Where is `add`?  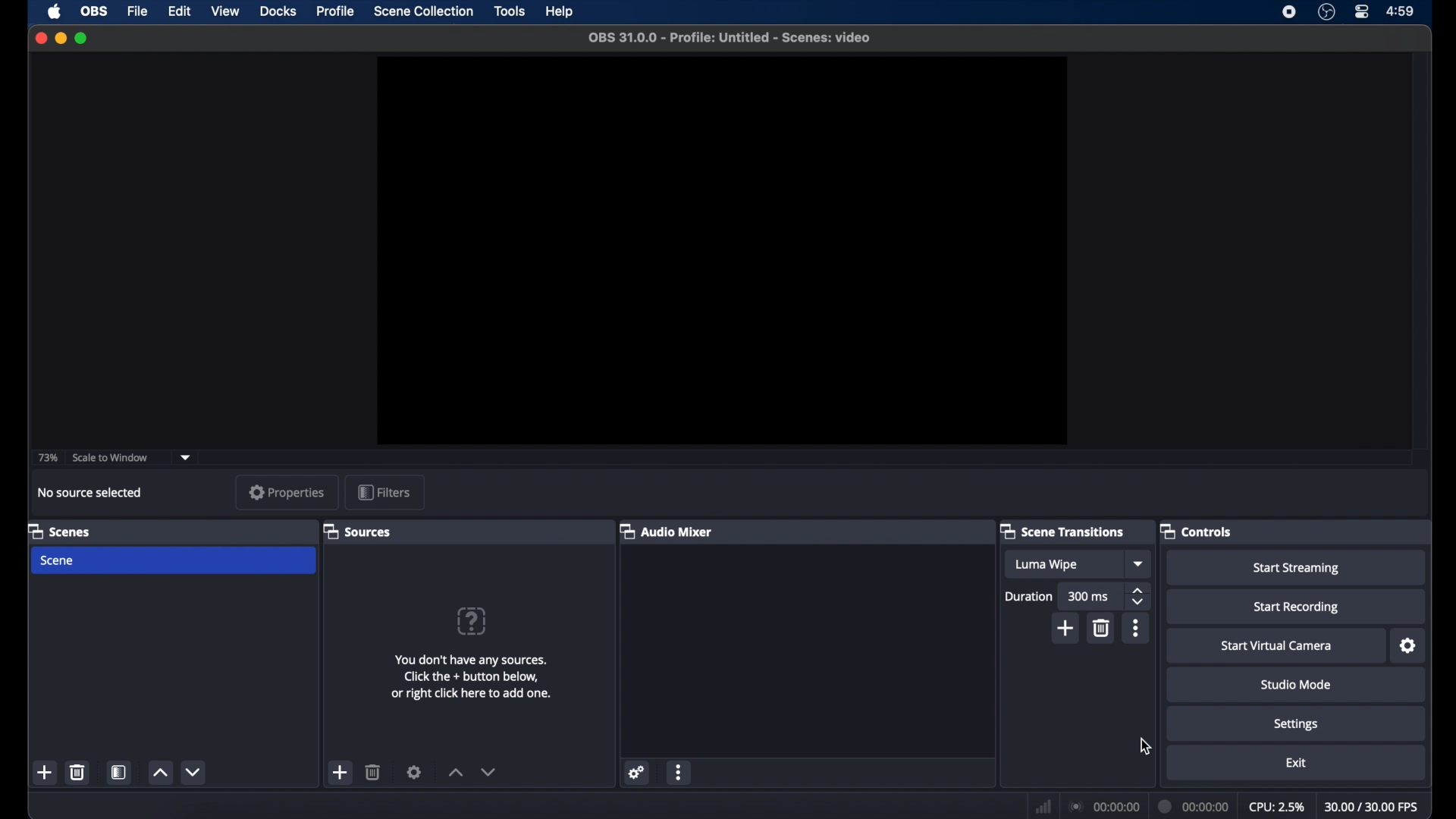
add is located at coordinates (45, 772).